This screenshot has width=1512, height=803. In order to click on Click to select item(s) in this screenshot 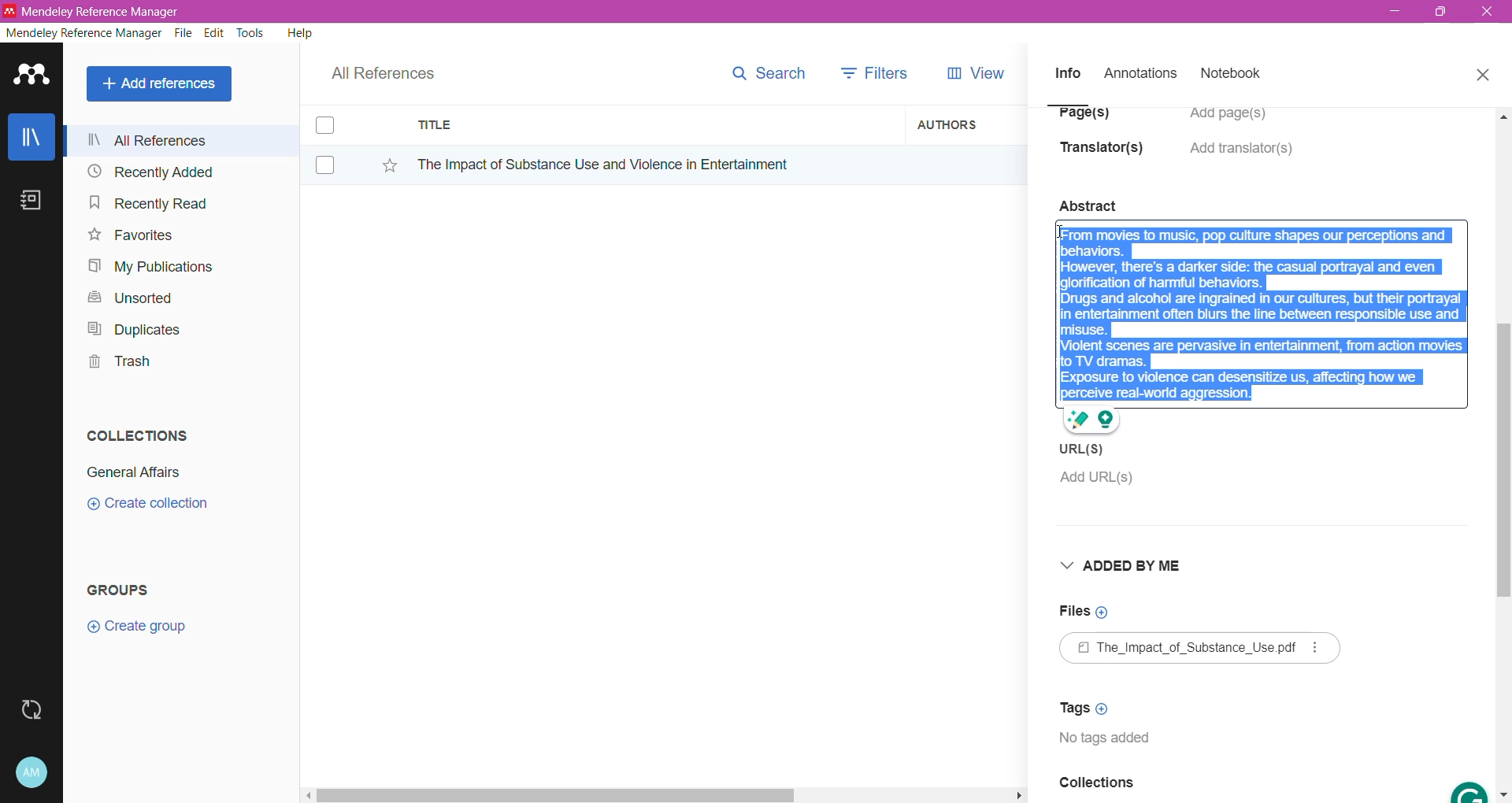, I will do `click(333, 144)`.